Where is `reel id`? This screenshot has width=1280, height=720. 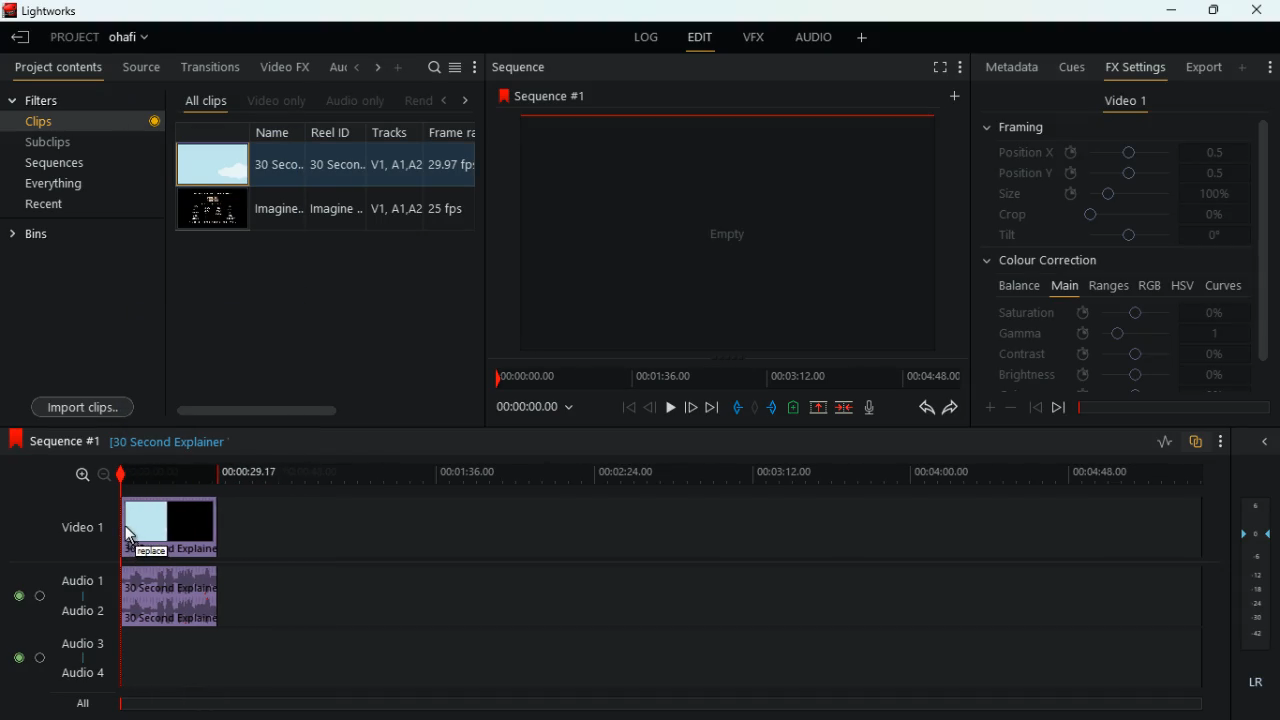
reel id is located at coordinates (334, 179).